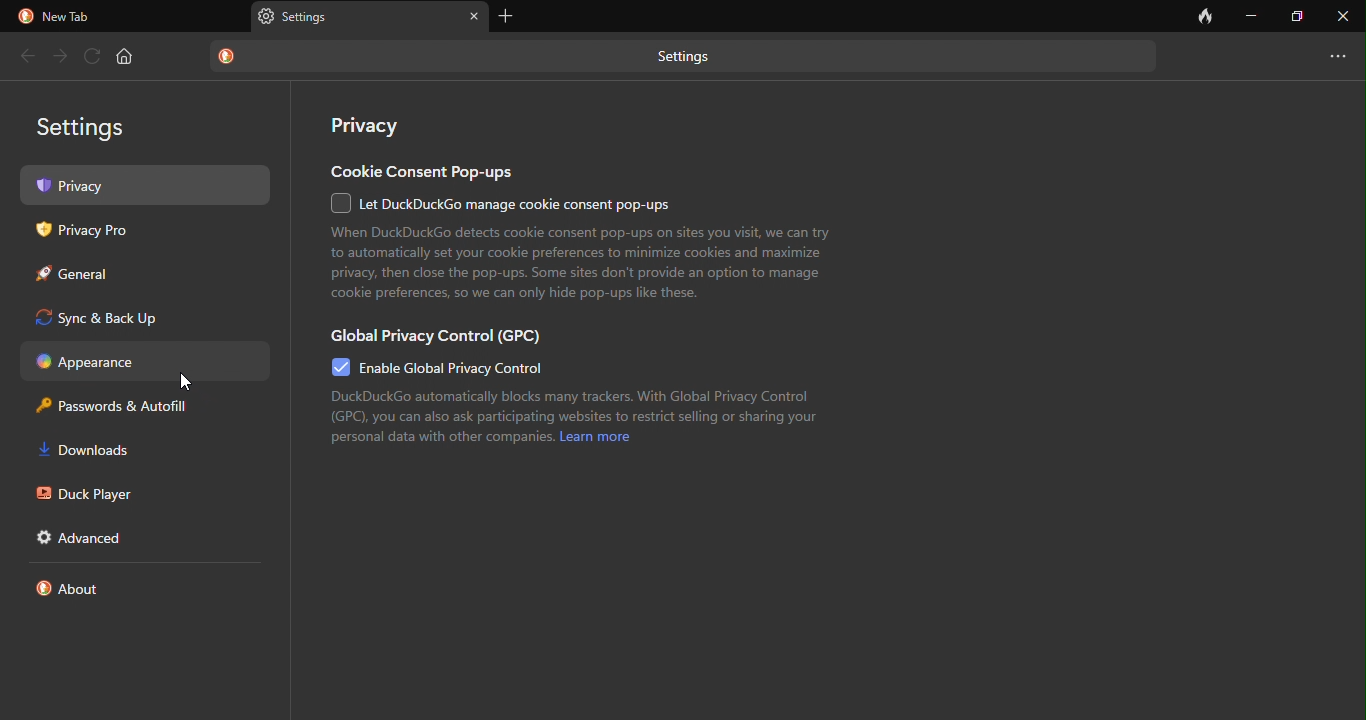 The height and width of the screenshot is (720, 1366). Describe the element at coordinates (188, 383) in the screenshot. I see `cursor movement` at that location.